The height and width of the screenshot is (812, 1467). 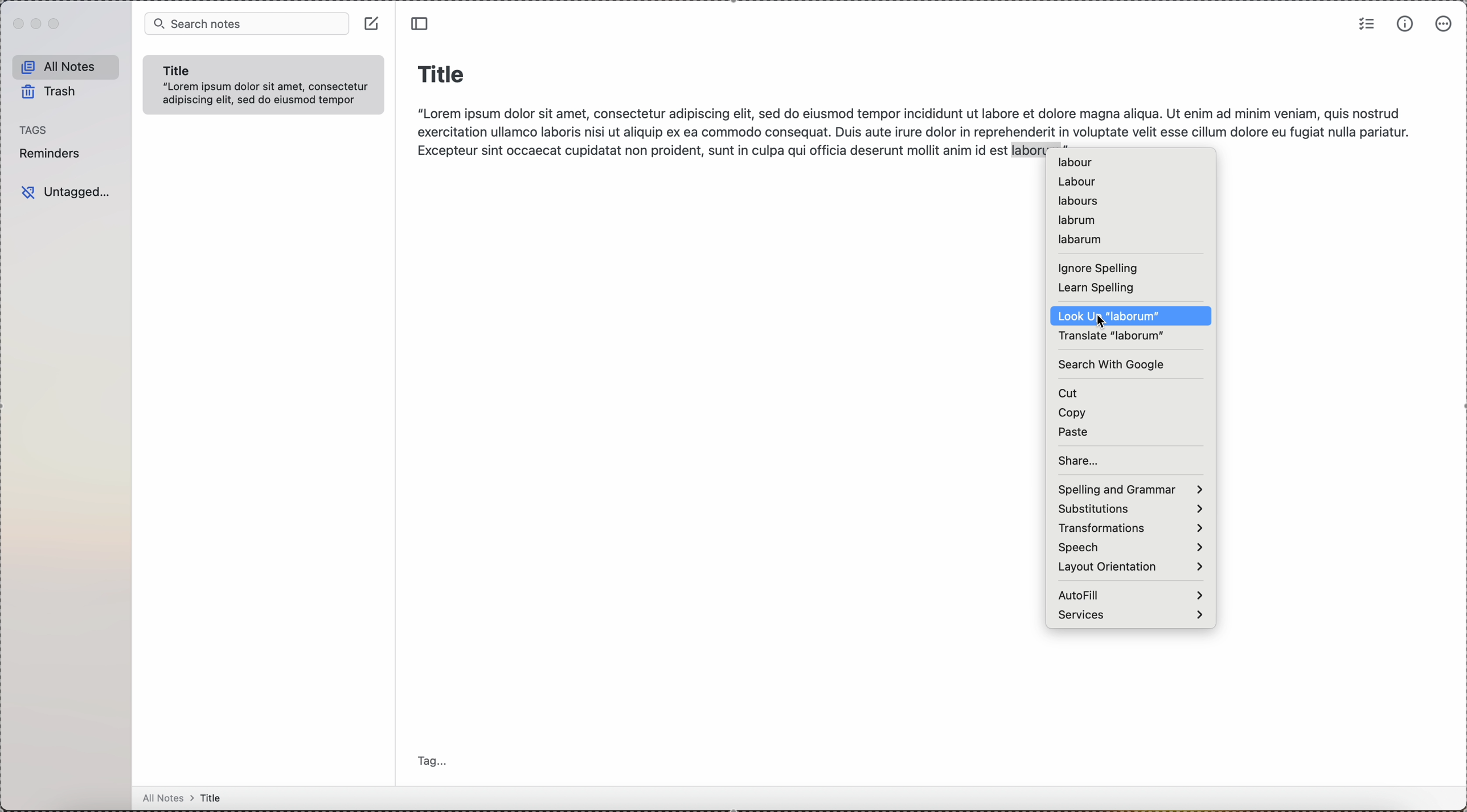 I want to click on substitutions, so click(x=1129, y=510).